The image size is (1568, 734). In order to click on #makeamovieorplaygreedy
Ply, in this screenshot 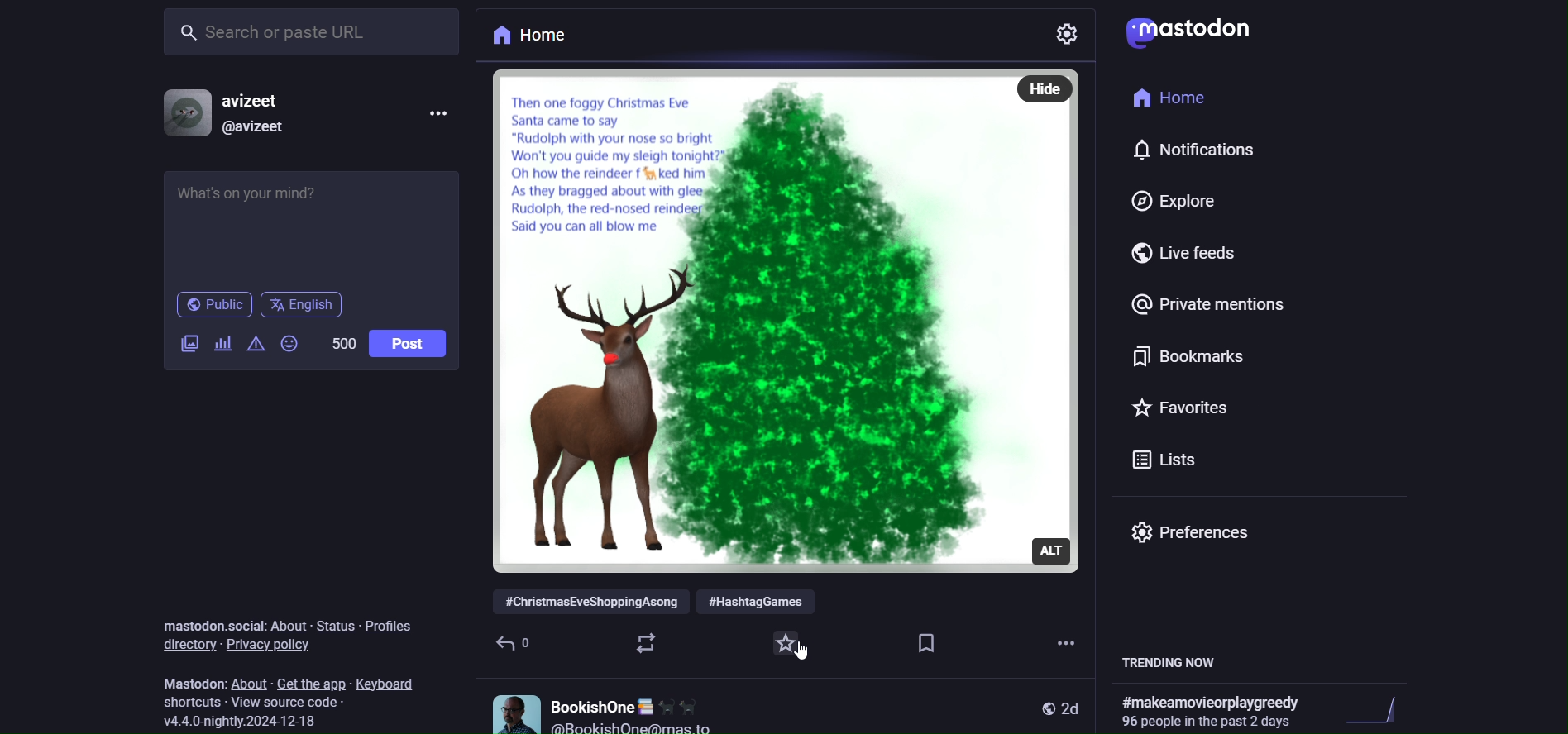, I will do `click(1210, 711)`.